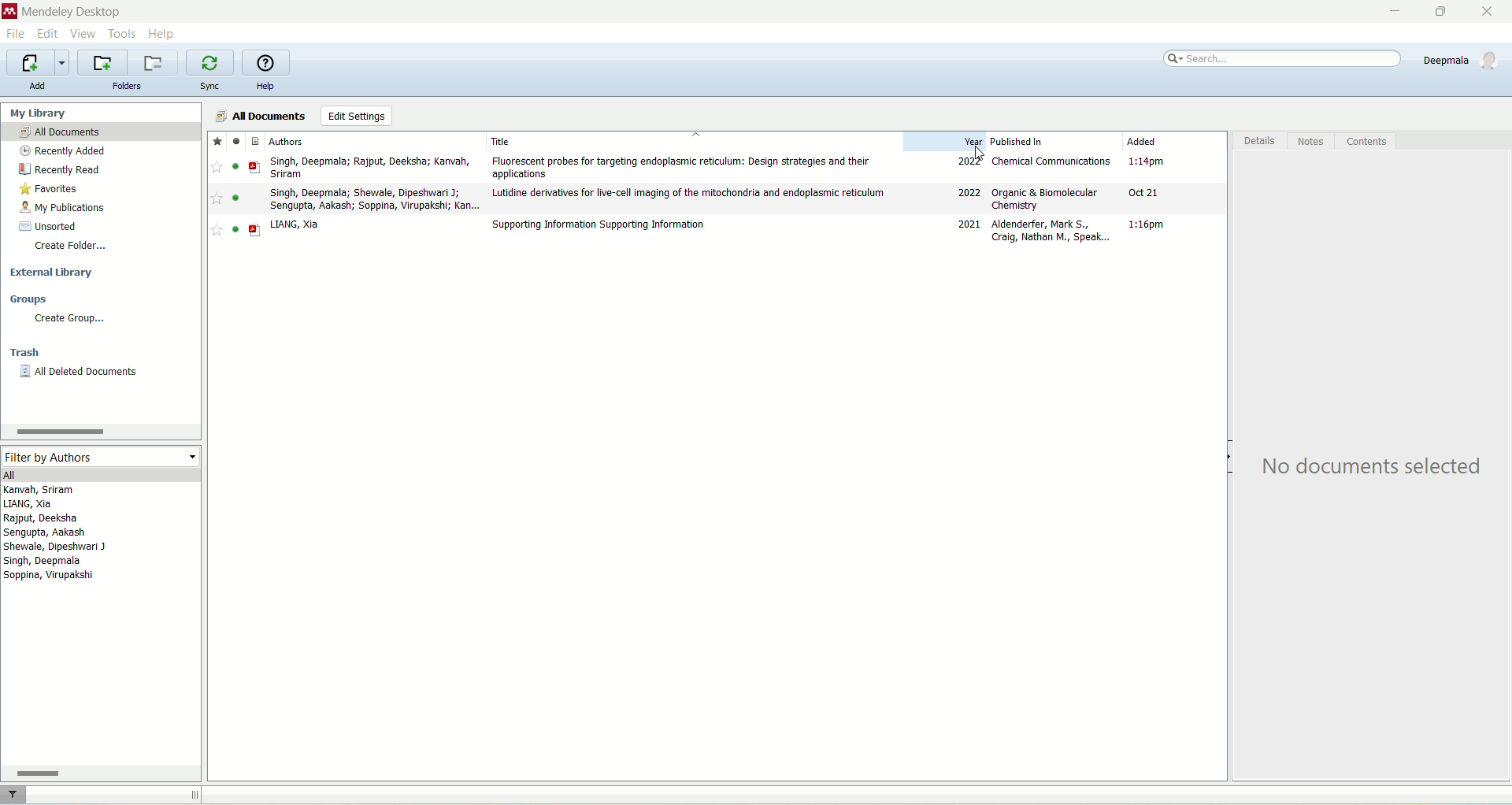 This screenshot has height=805, width=1512. What do you see at coordinates (1049, 198) in the screenshot?
I see `Organic & Biomolecular Chemistry` at bounding box center [1049, 198].